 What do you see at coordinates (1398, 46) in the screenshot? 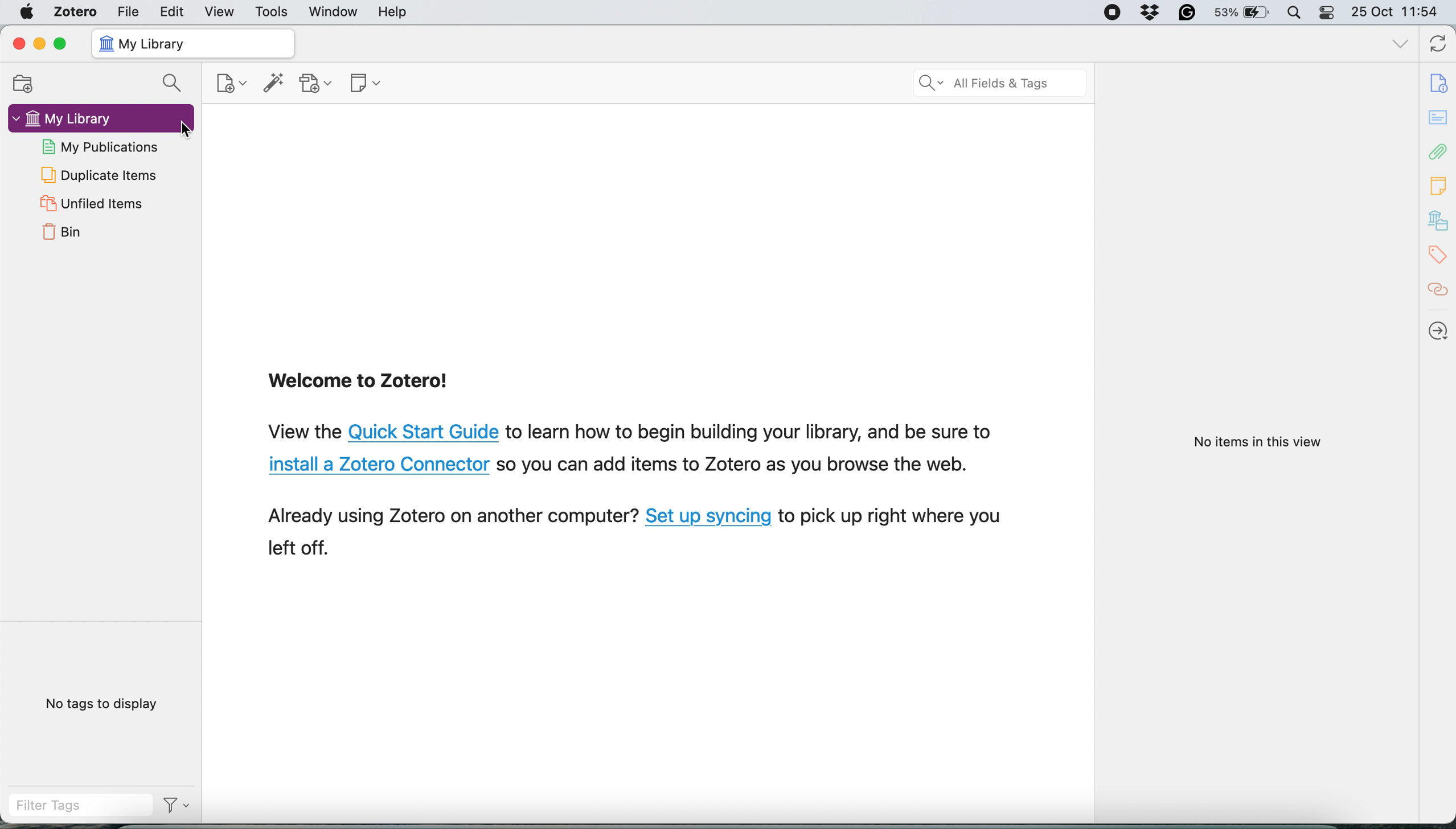
I see `list all tabs` at bounding box center [1398, 46].